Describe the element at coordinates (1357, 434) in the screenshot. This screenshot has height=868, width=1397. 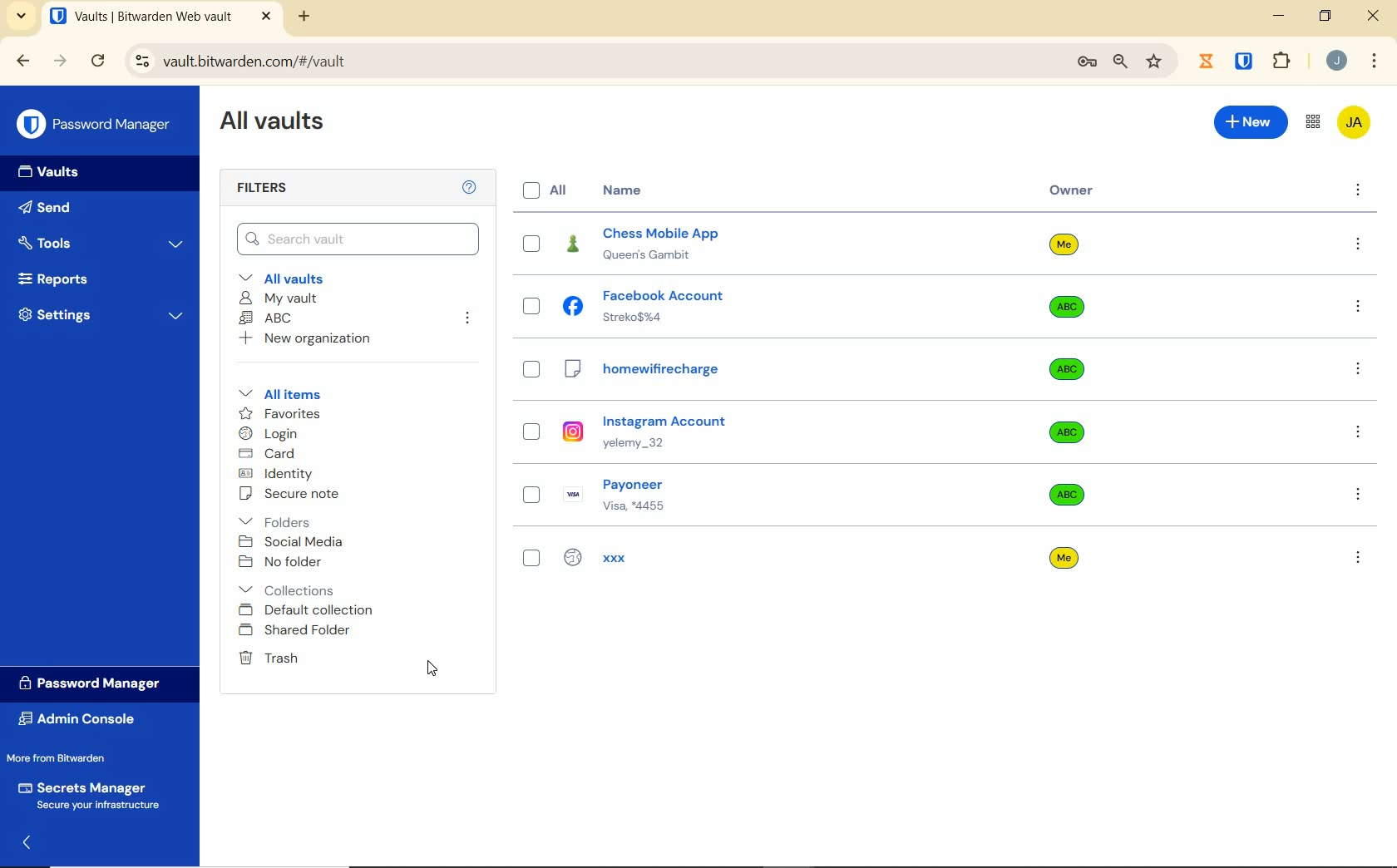
I see `more options` at that location.